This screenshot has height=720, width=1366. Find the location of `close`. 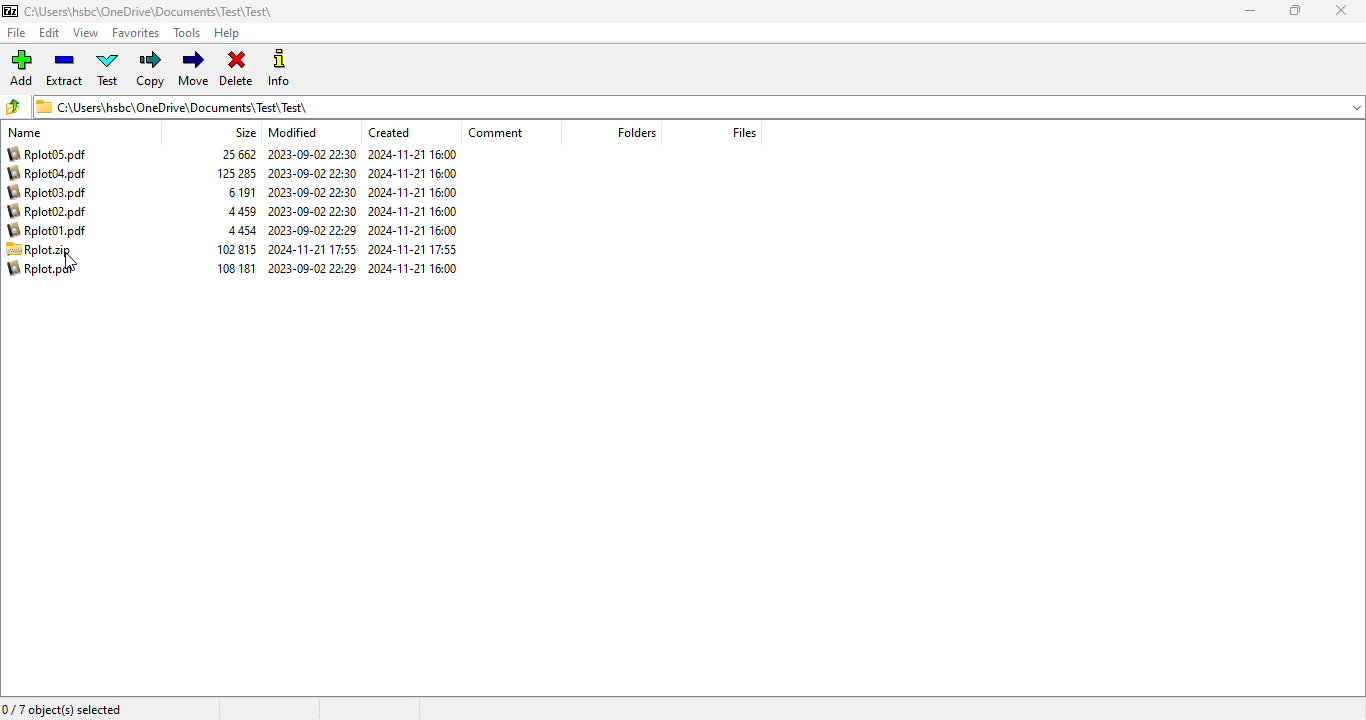

close is located at coordinates (1340, 10).